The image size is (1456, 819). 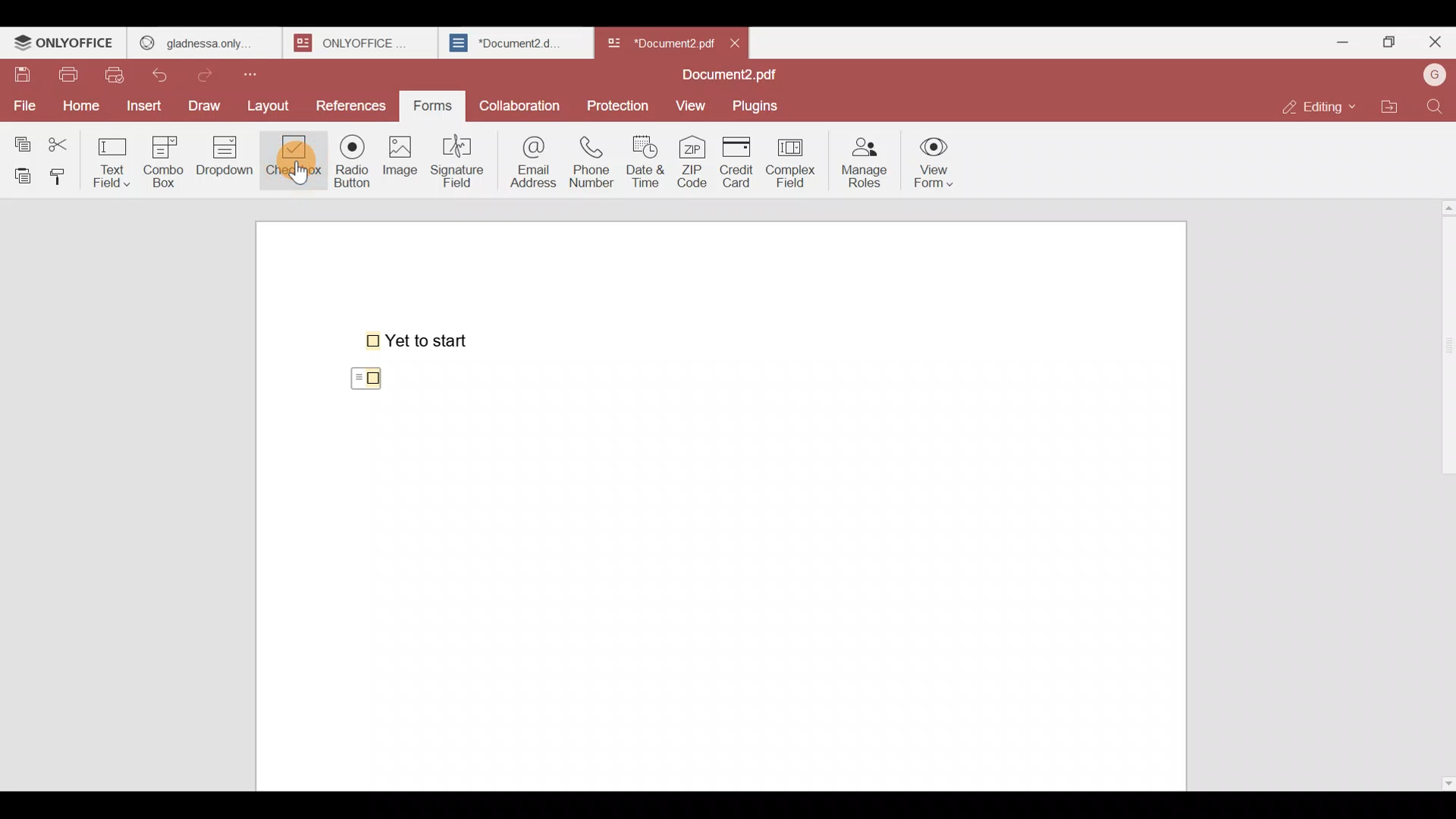 I want to click on Collaboration, so click(x=521, y=102).